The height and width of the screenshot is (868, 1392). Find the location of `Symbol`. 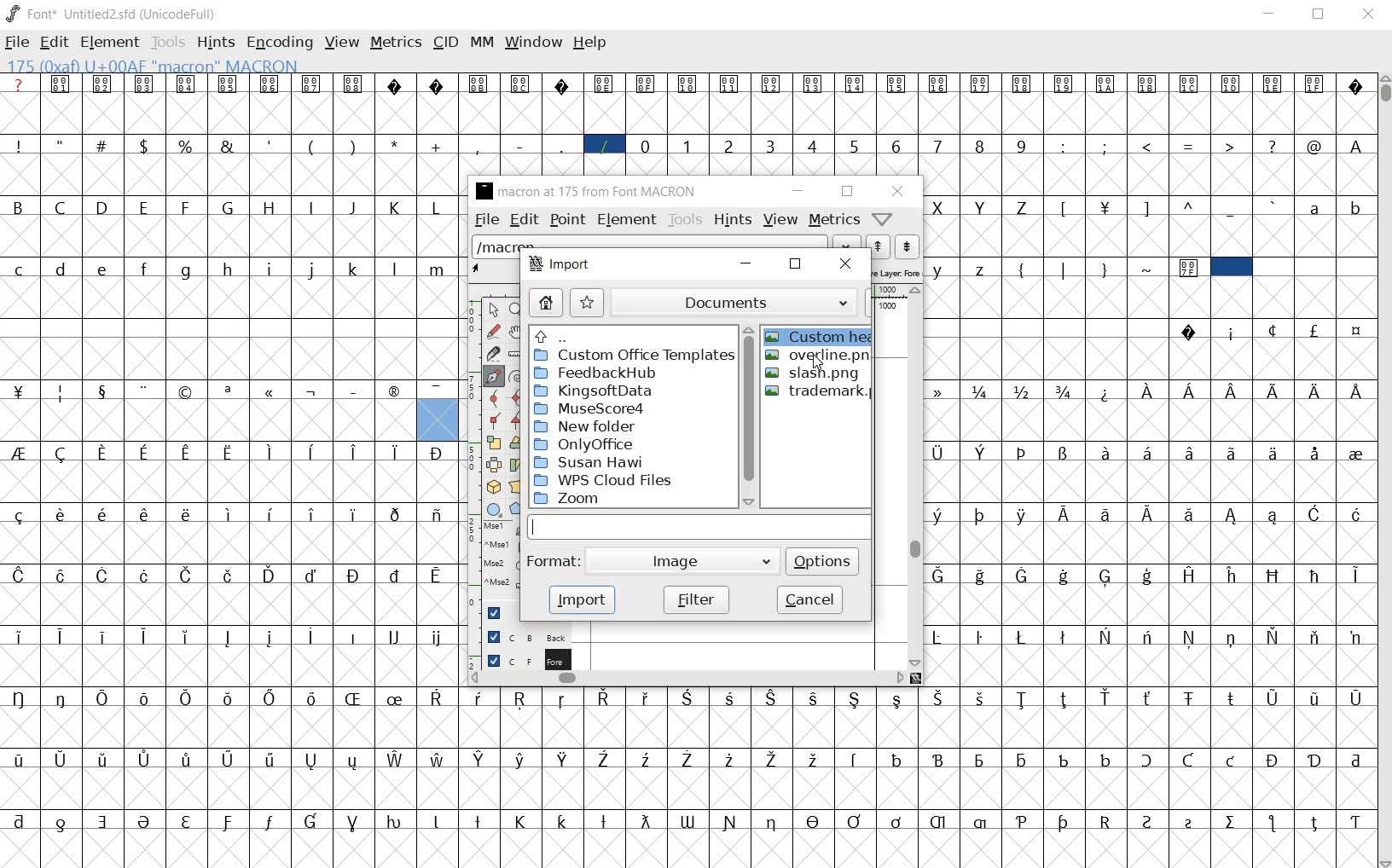

Symbol is located at coordinates (730, 698).